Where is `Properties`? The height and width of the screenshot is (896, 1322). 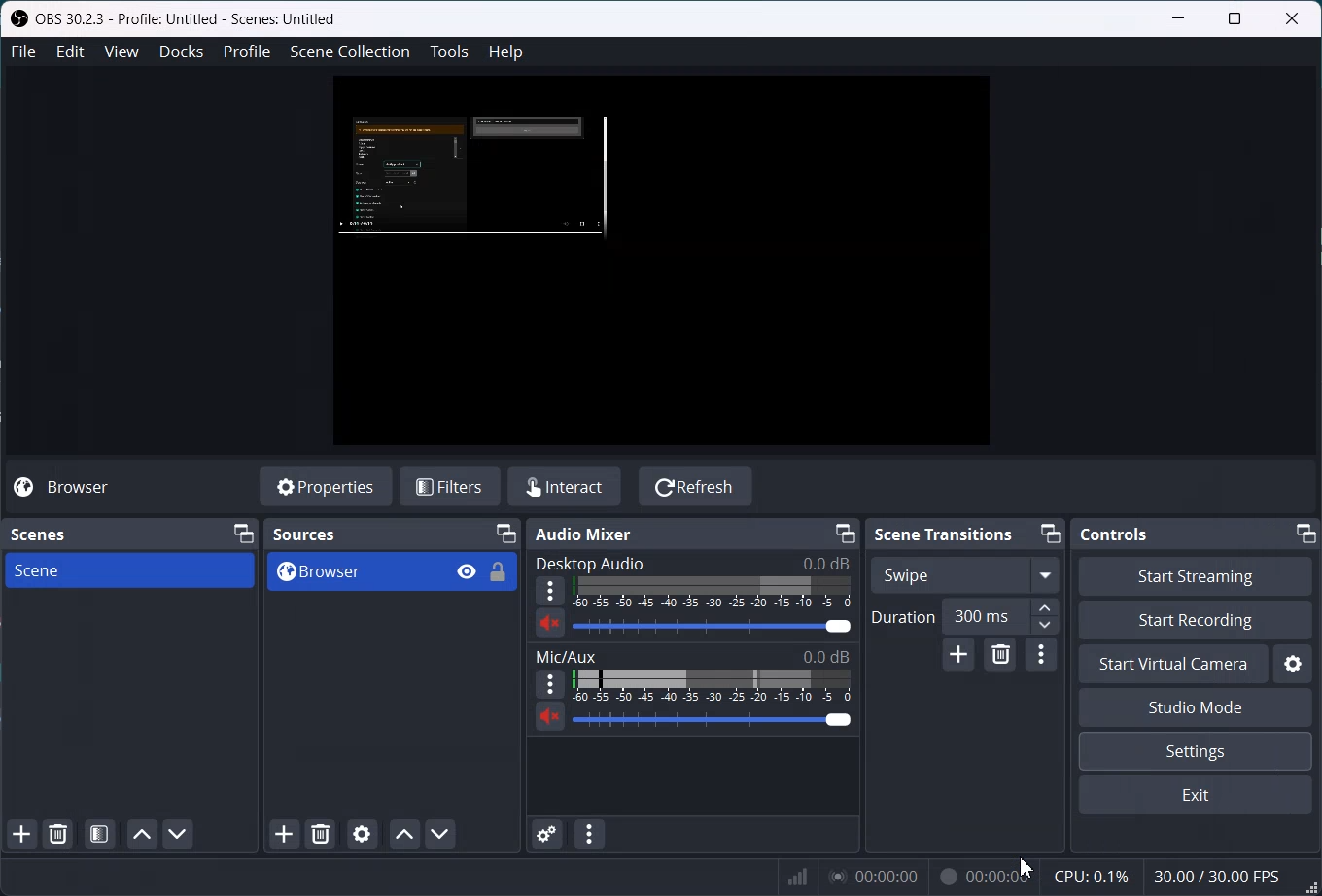
Properties is located at coordinates (324, 487).